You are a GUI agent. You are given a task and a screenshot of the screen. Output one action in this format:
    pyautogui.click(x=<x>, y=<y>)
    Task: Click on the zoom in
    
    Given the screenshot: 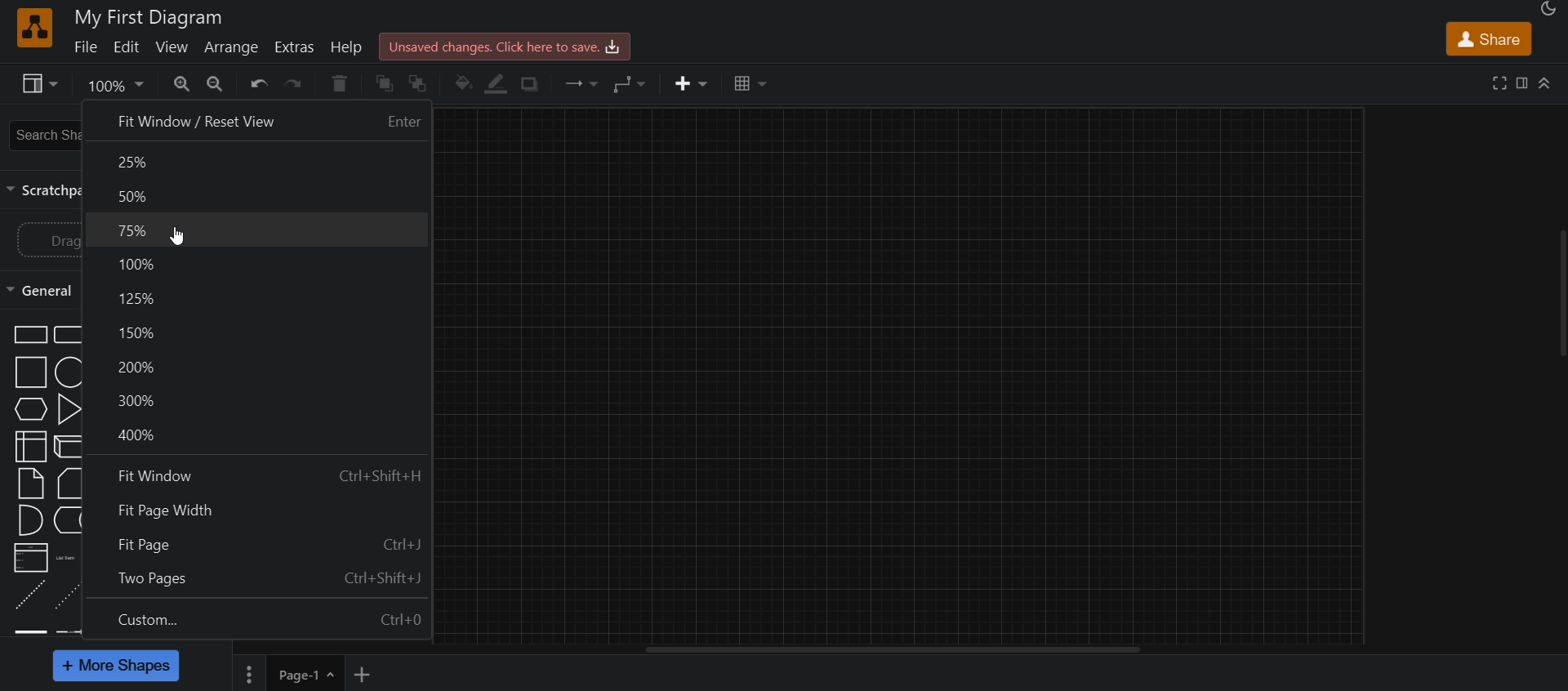 What is the action you would take?
    pyautogui.click(x=185, y=84)
    